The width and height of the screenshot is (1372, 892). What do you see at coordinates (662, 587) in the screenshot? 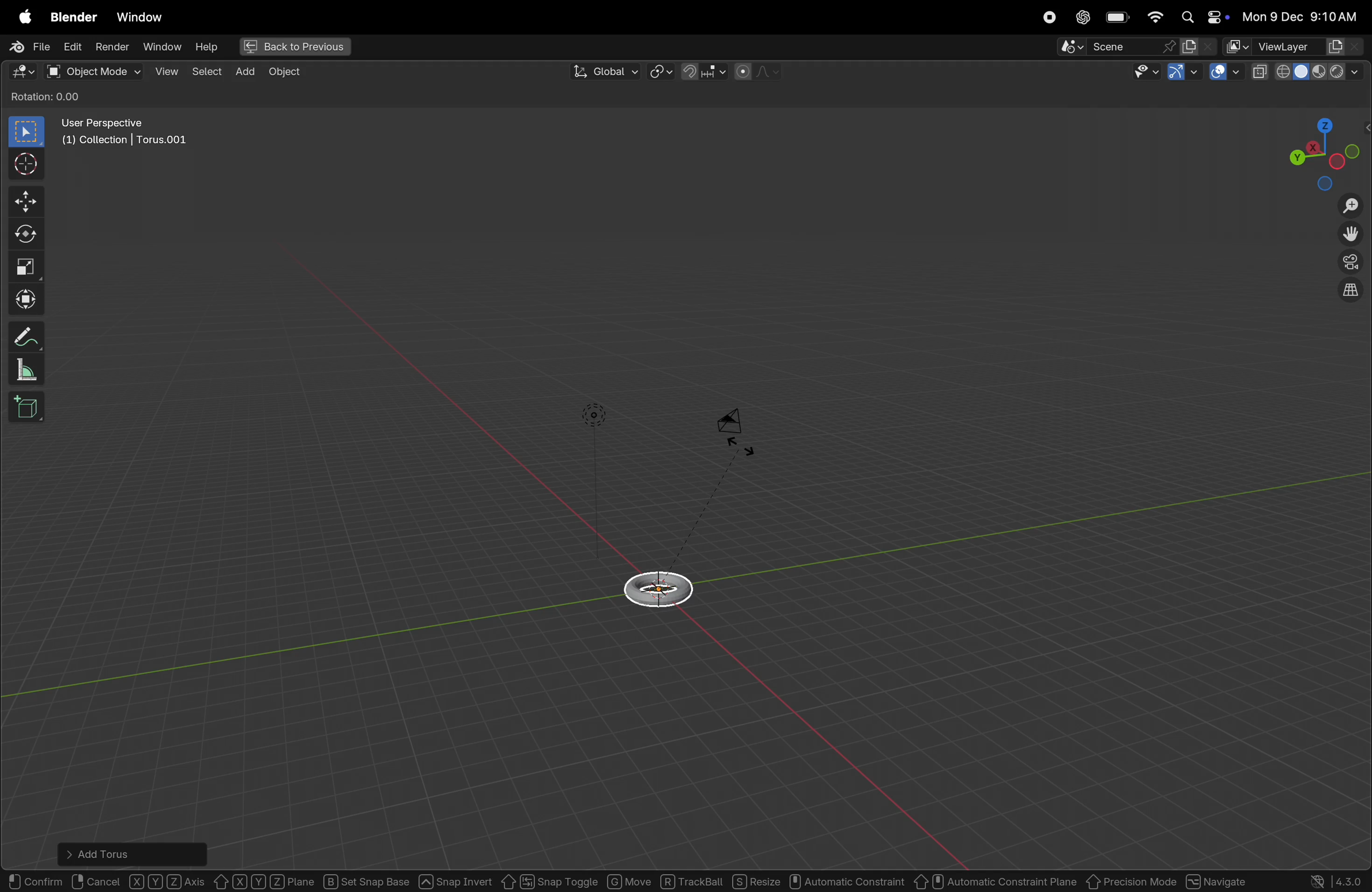
I see `torus` at bounding box center [662, 587].